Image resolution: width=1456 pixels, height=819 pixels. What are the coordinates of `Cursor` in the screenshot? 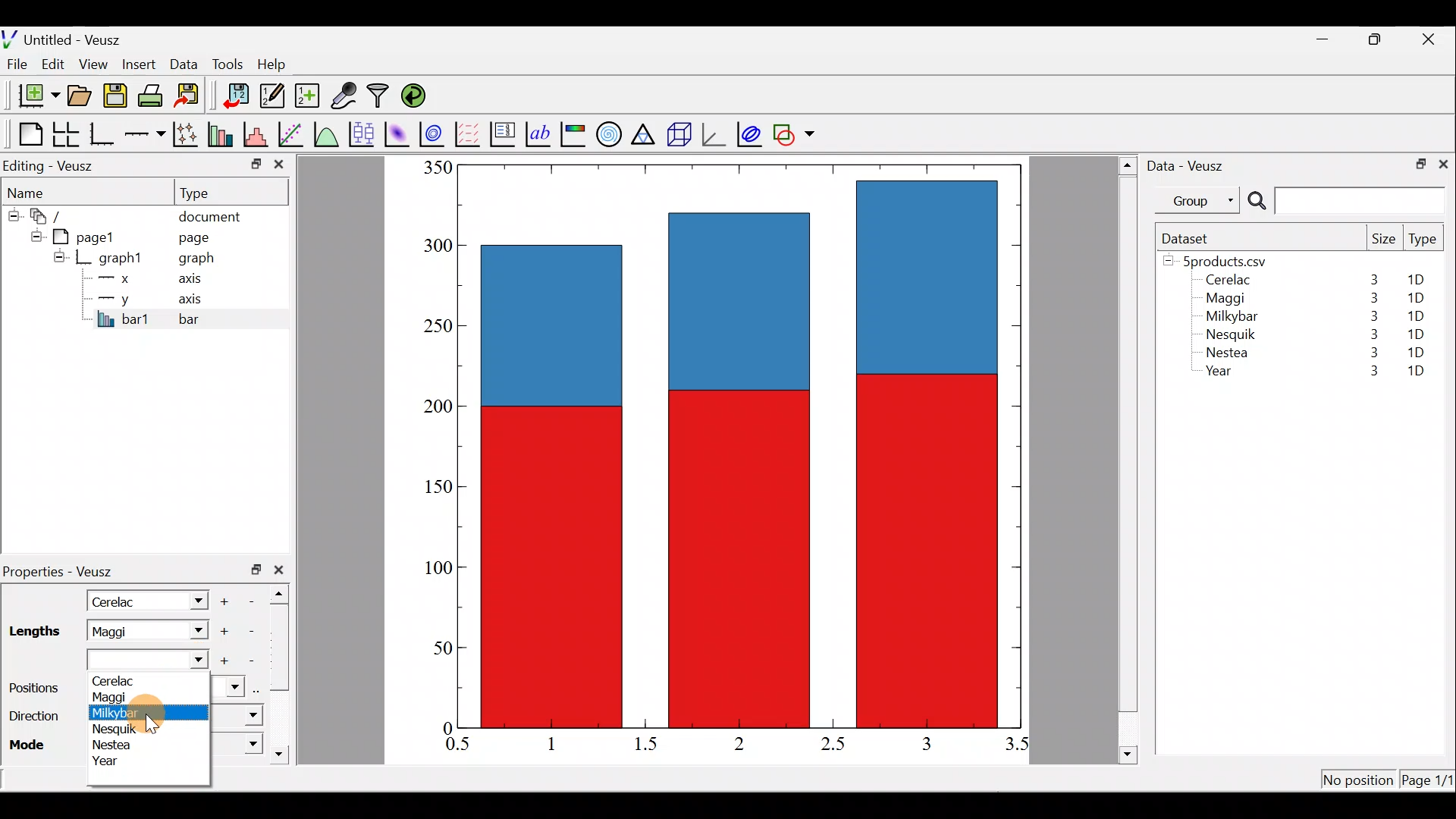 It's located at (165, 713).